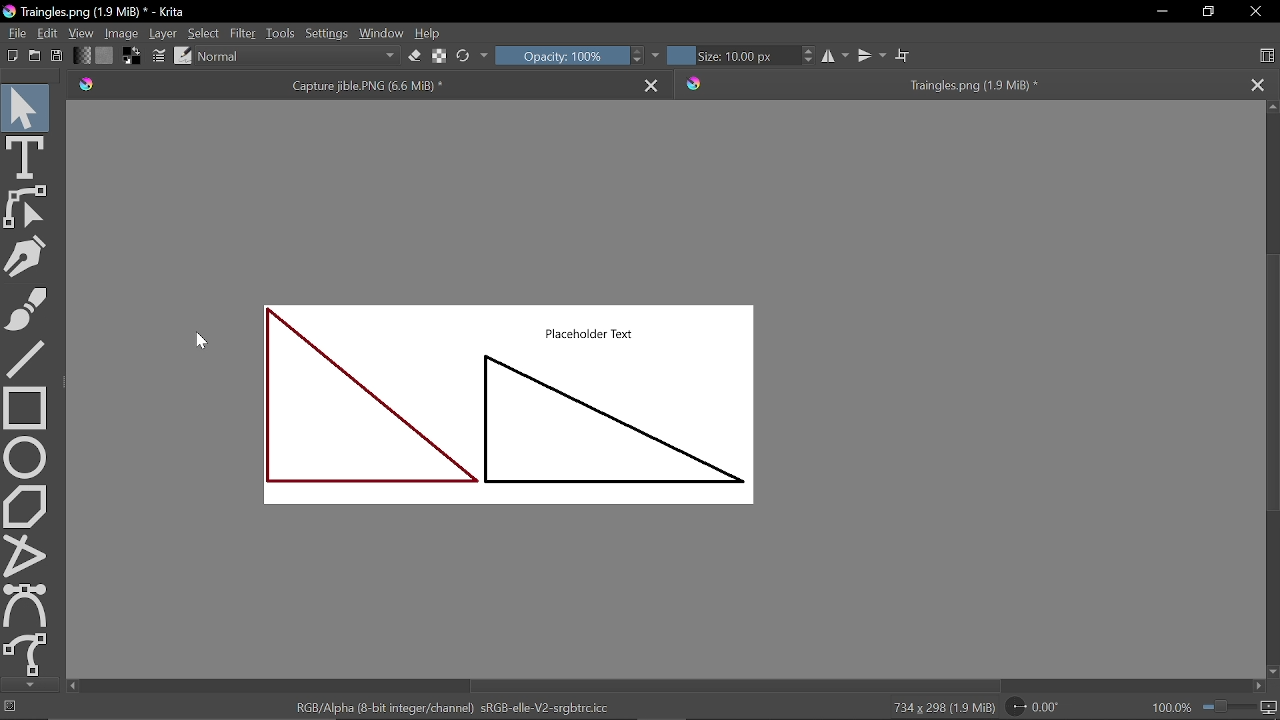 The image size is (1280, 720). What do you see at coordinates (16, 34) in the screenshot?
I see `File` at bounding box center [16, 34].